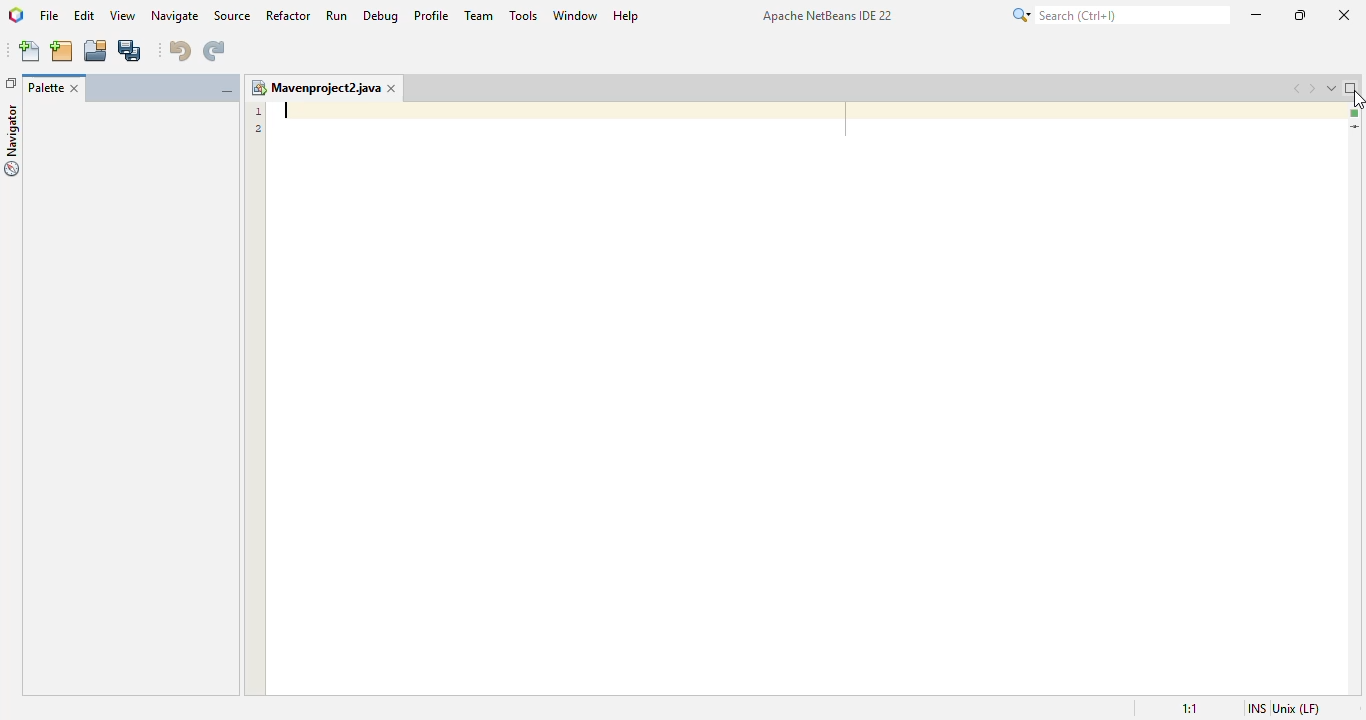 This screenshot has width=1366, height=720. What do you see at coordinates (433, 16) in the screenshot?
I see `profile` at bounding box center [433, 16].